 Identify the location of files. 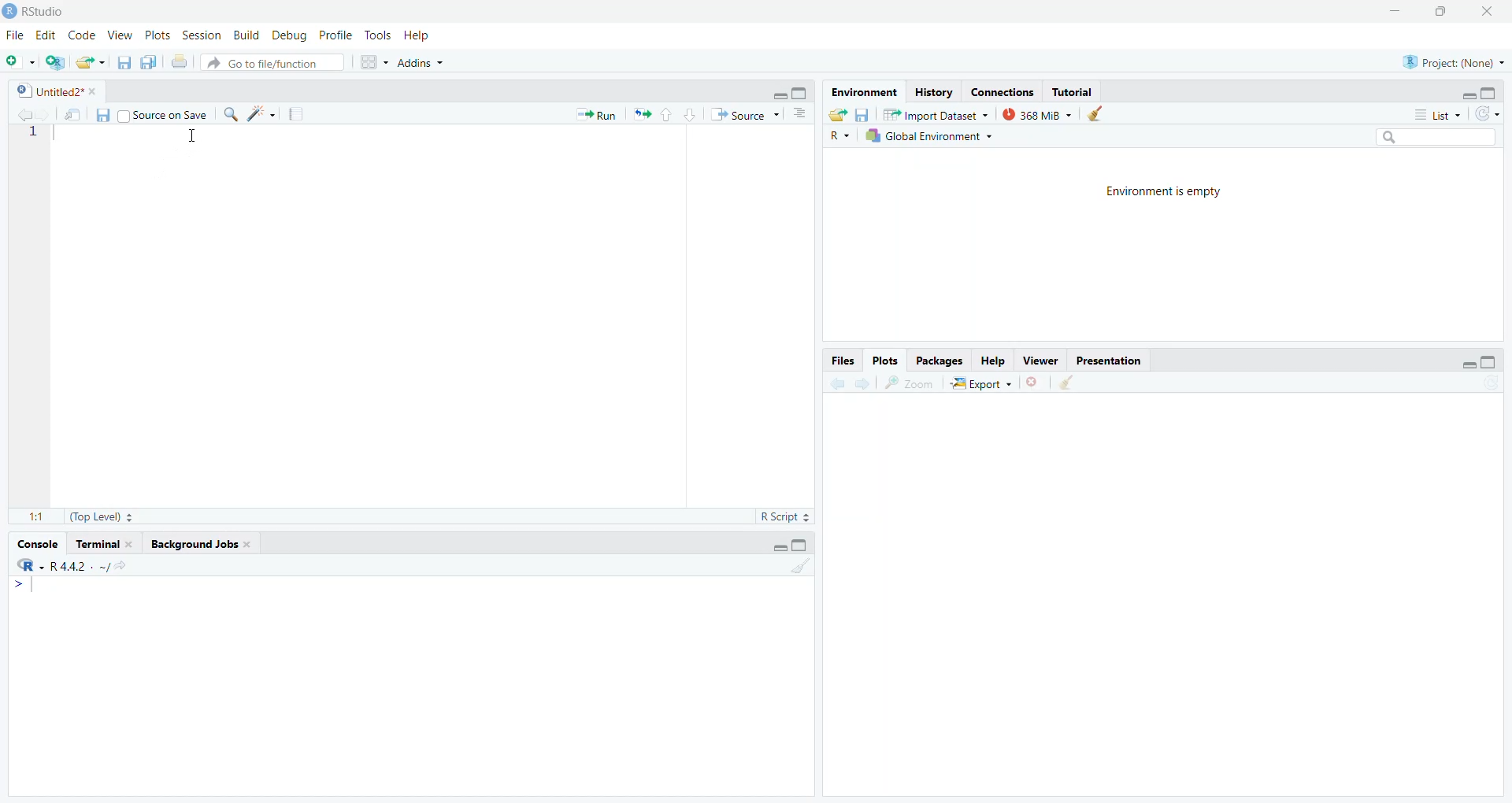
(864, 115).